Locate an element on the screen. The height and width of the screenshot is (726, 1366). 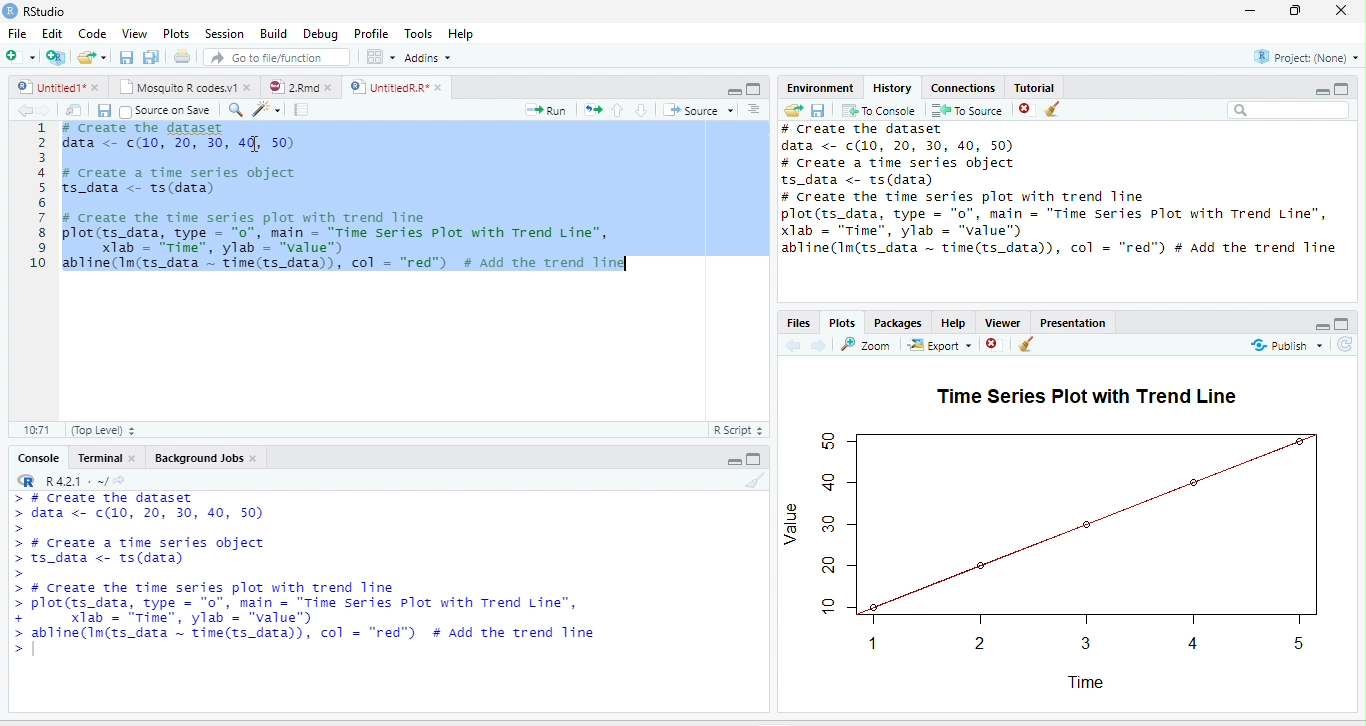
Maximize is located at coordinates (1342, 88).